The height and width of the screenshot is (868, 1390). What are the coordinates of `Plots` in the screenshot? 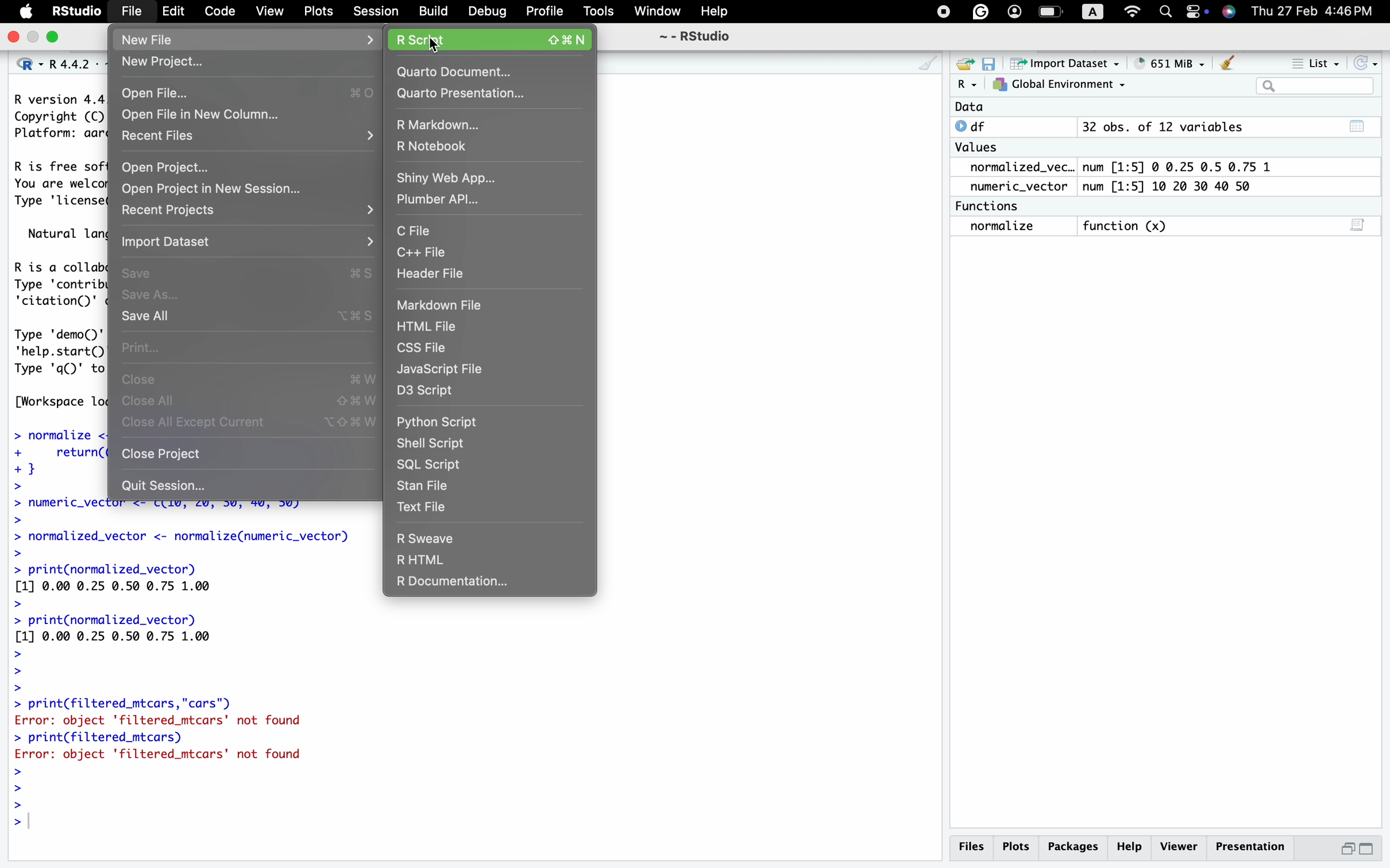 It's located at (316, 10).